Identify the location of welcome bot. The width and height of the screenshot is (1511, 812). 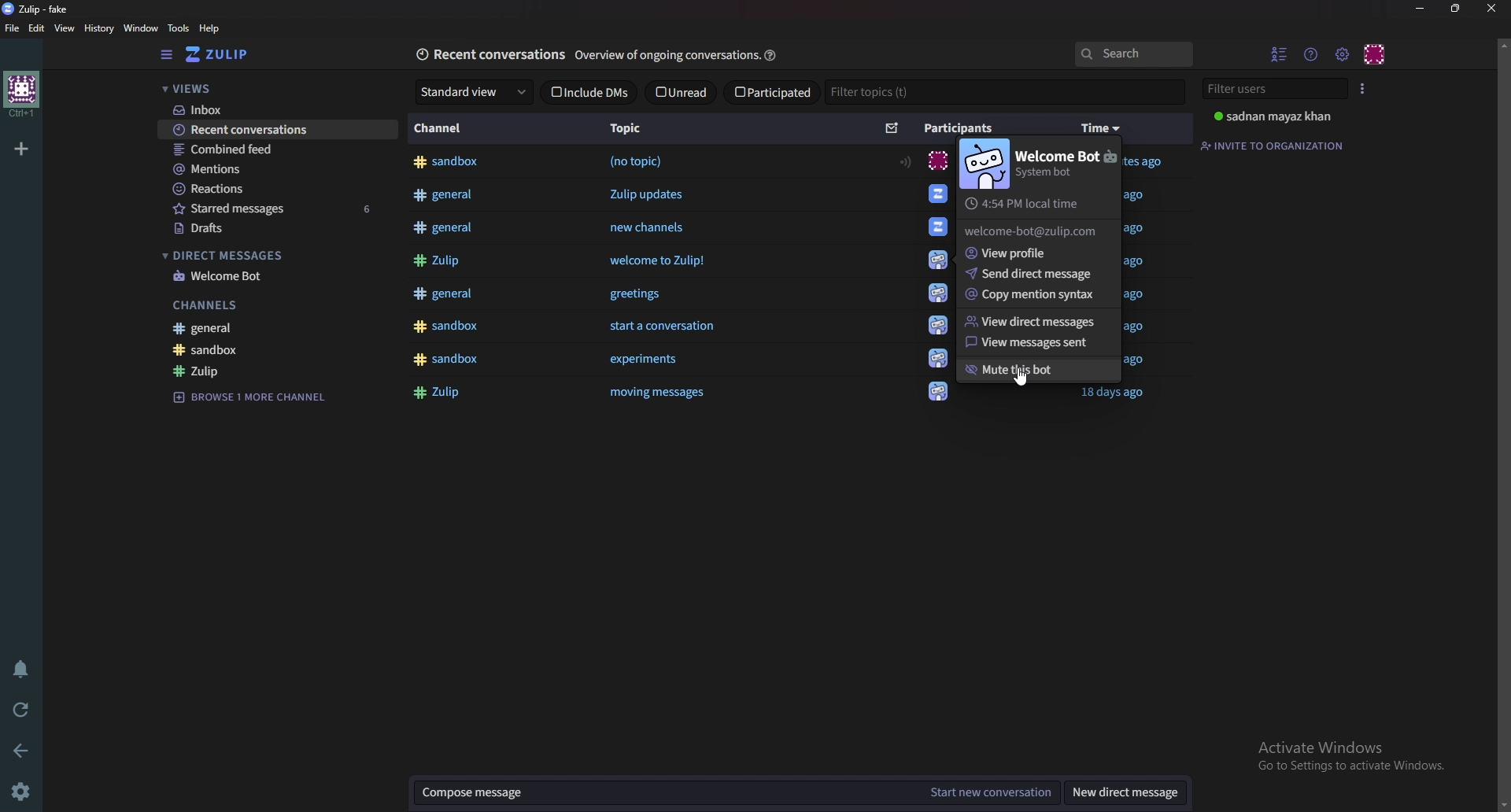
(273, 276).